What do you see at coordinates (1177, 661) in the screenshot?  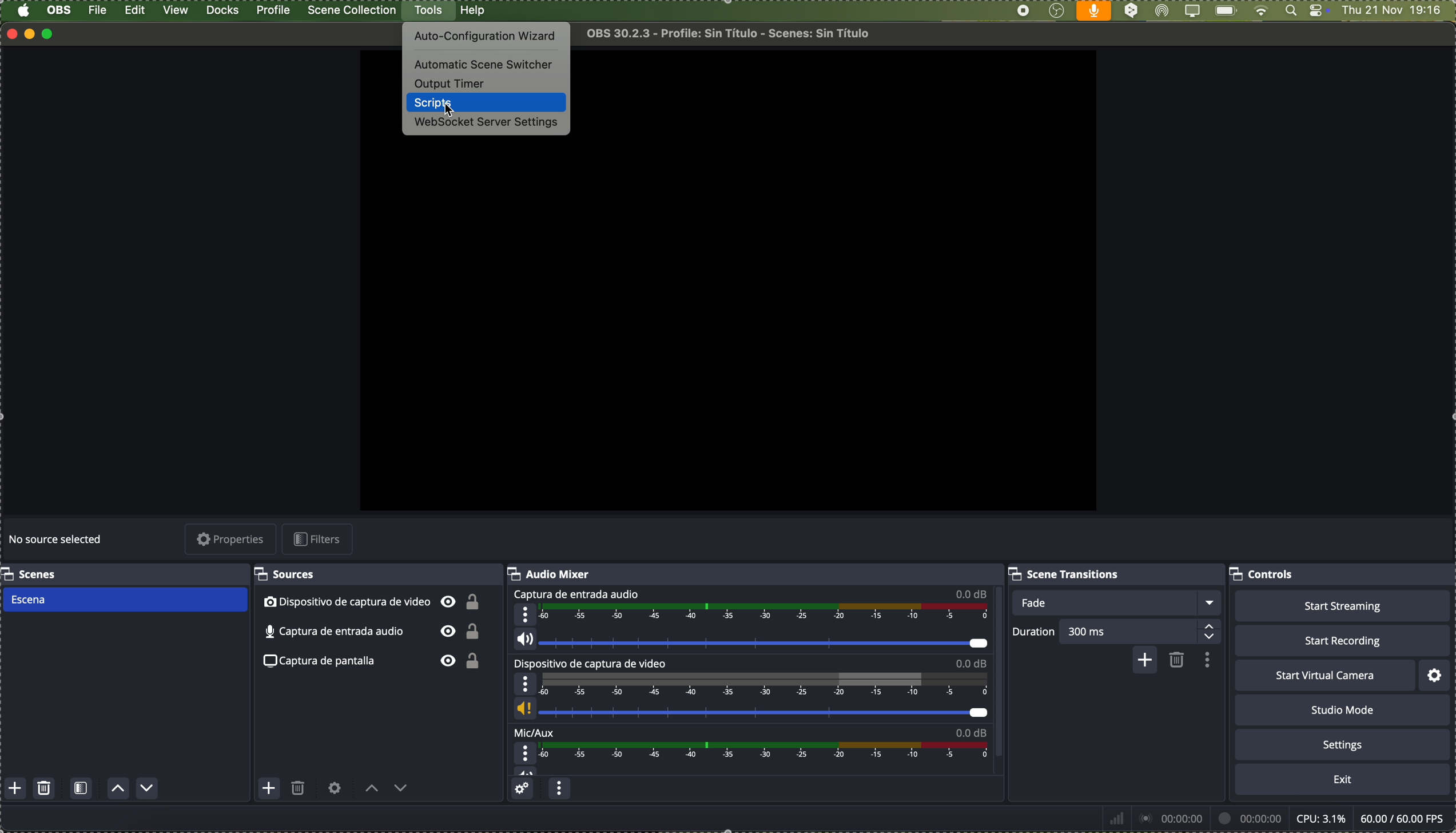 I see `remove` at bounding box center [1177, 661].